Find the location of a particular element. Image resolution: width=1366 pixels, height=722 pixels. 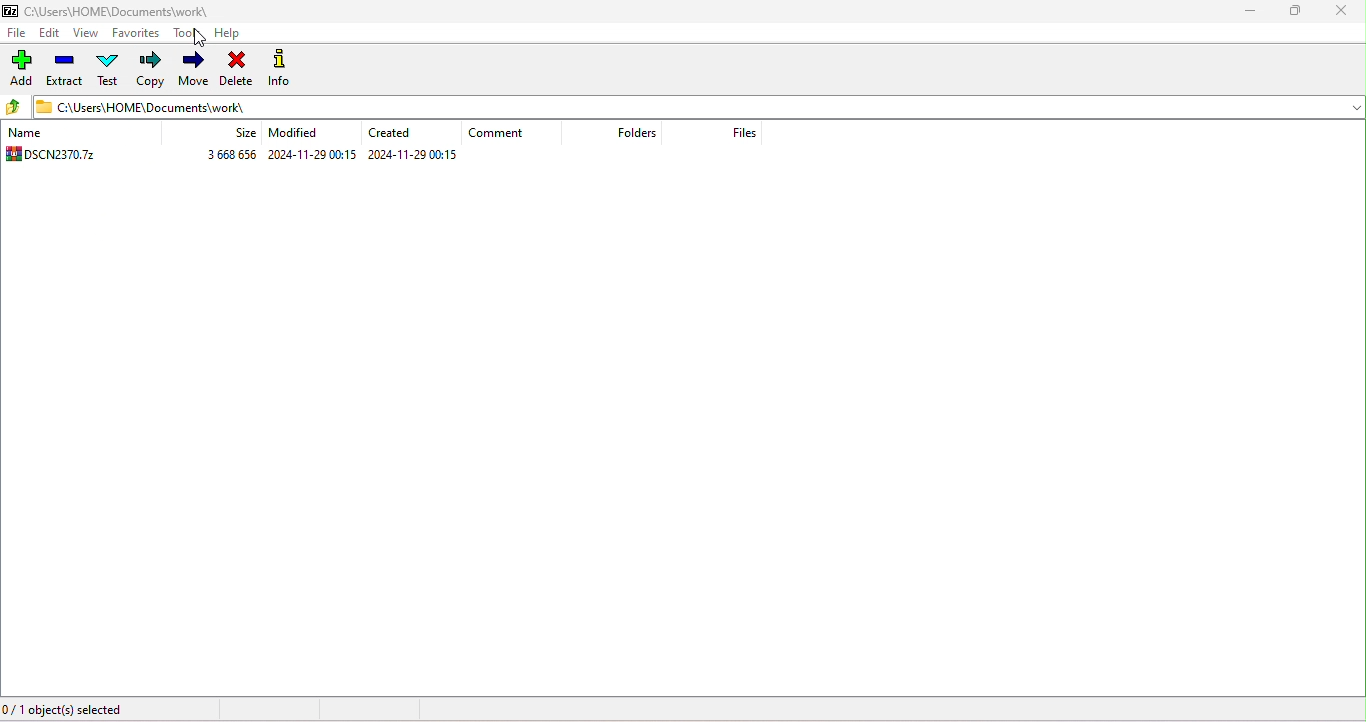

cursor is located at coordinates (202, 40).